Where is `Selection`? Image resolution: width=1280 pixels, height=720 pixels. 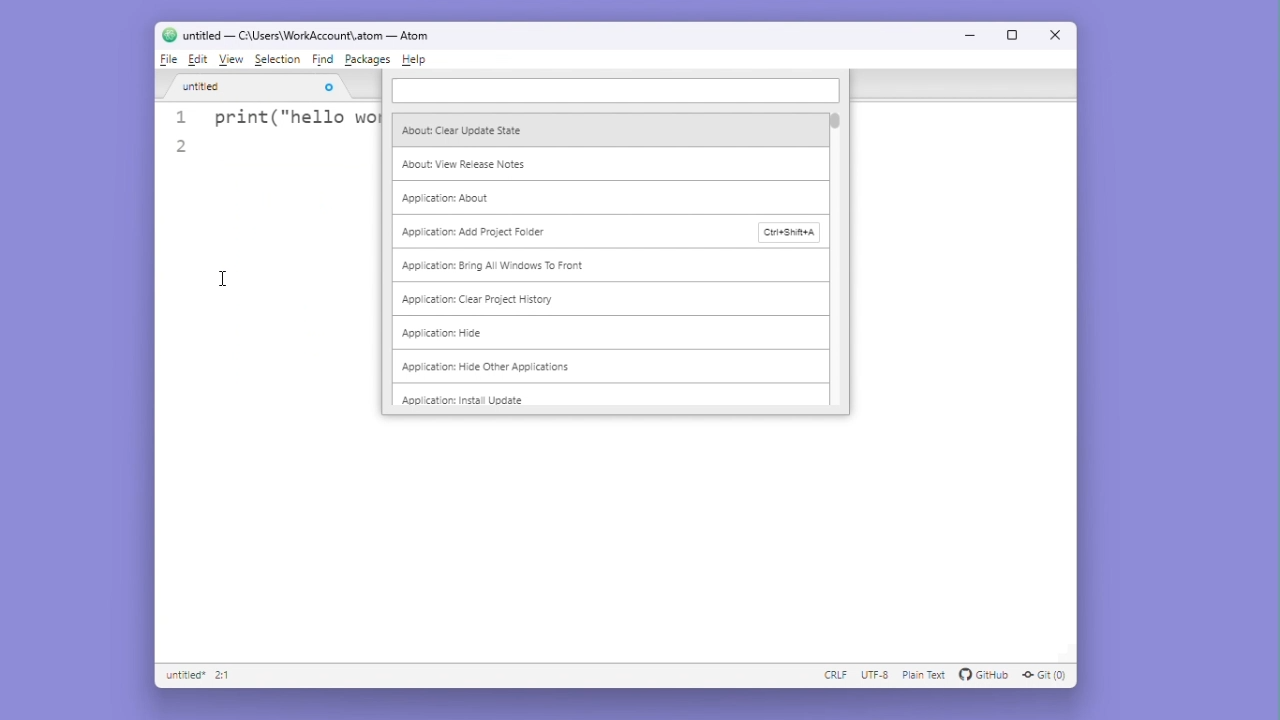
Selection is located at coordinates (280, 61).